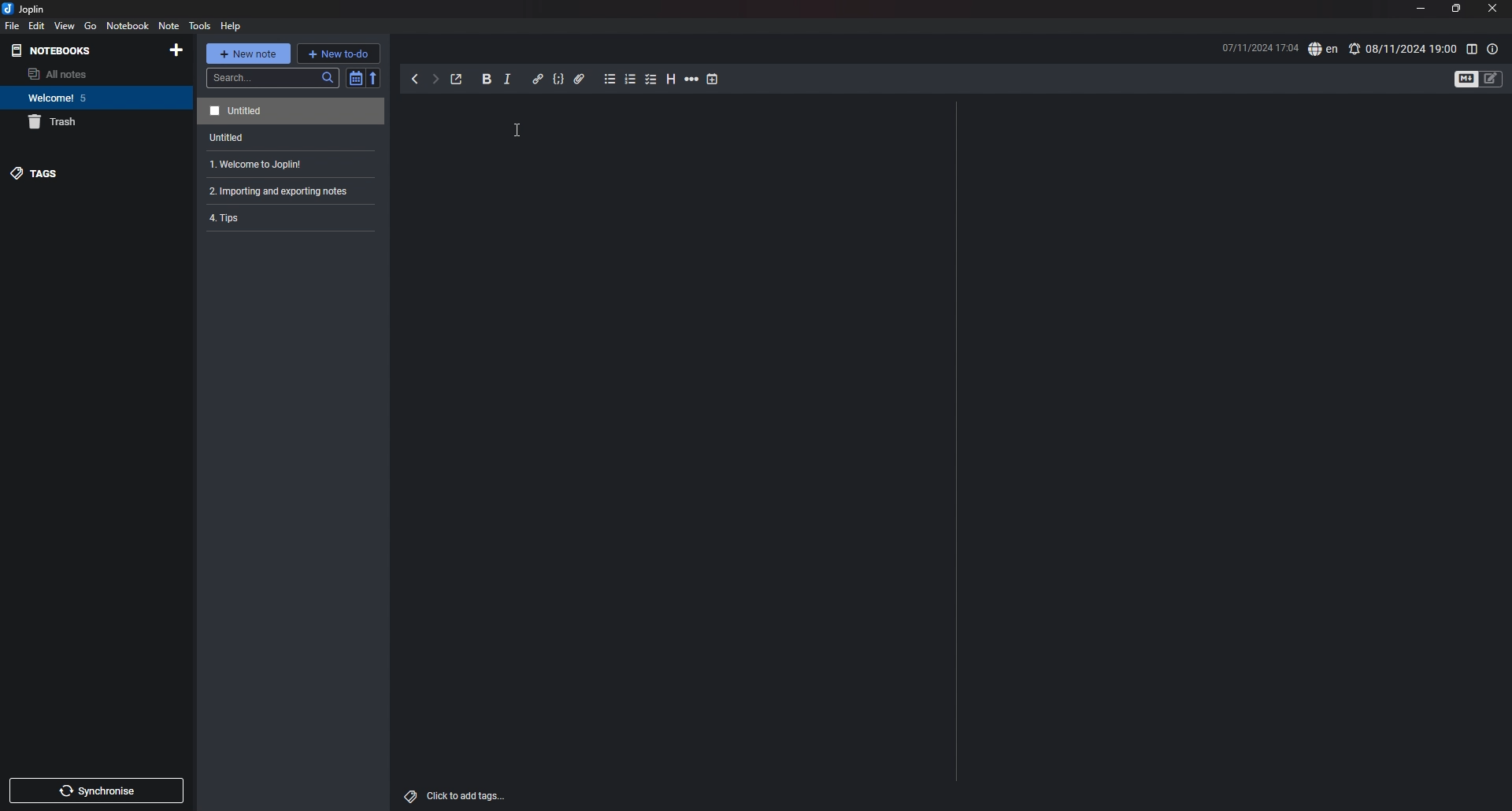 Image resolution: width=1512 pixels, height=811 pixels. Describe the element at coordinates (631, 80) in the screenshot. I see `numbered list` at that location.